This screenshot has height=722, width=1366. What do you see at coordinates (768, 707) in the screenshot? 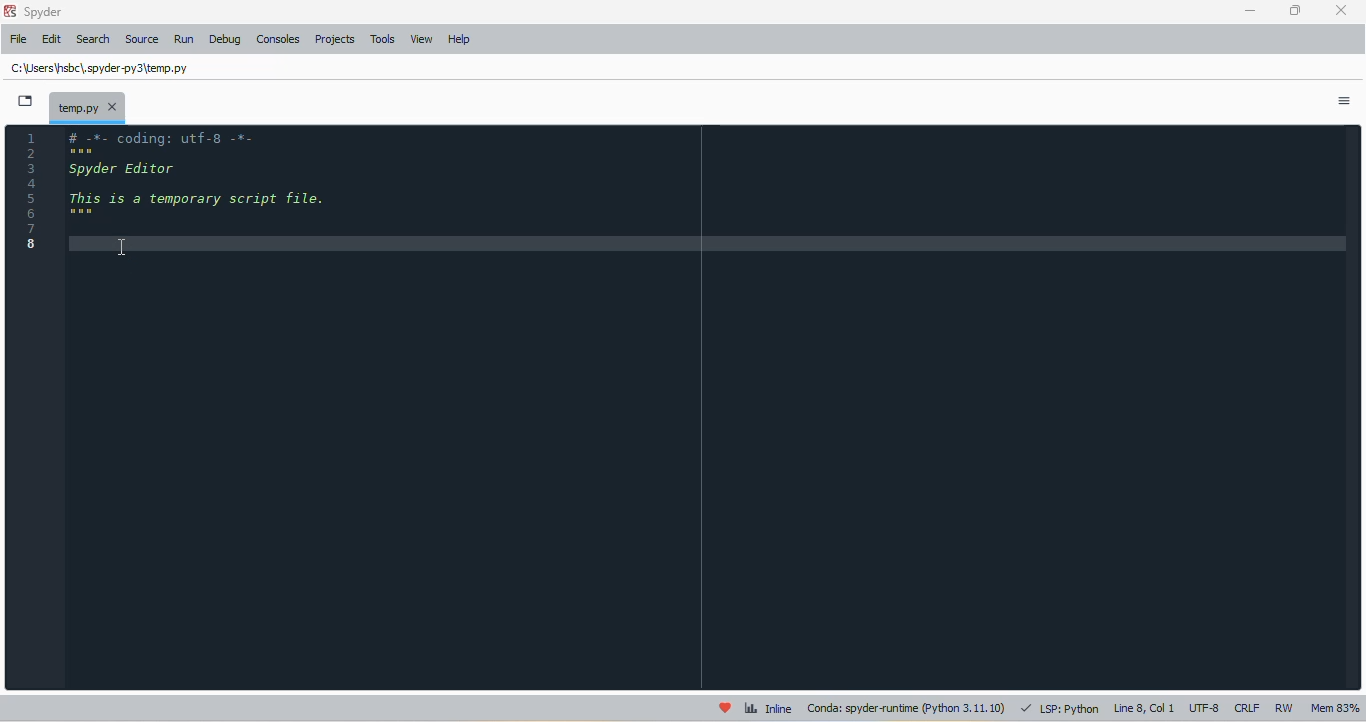
I see `inline` at bounding box center [768, 707].